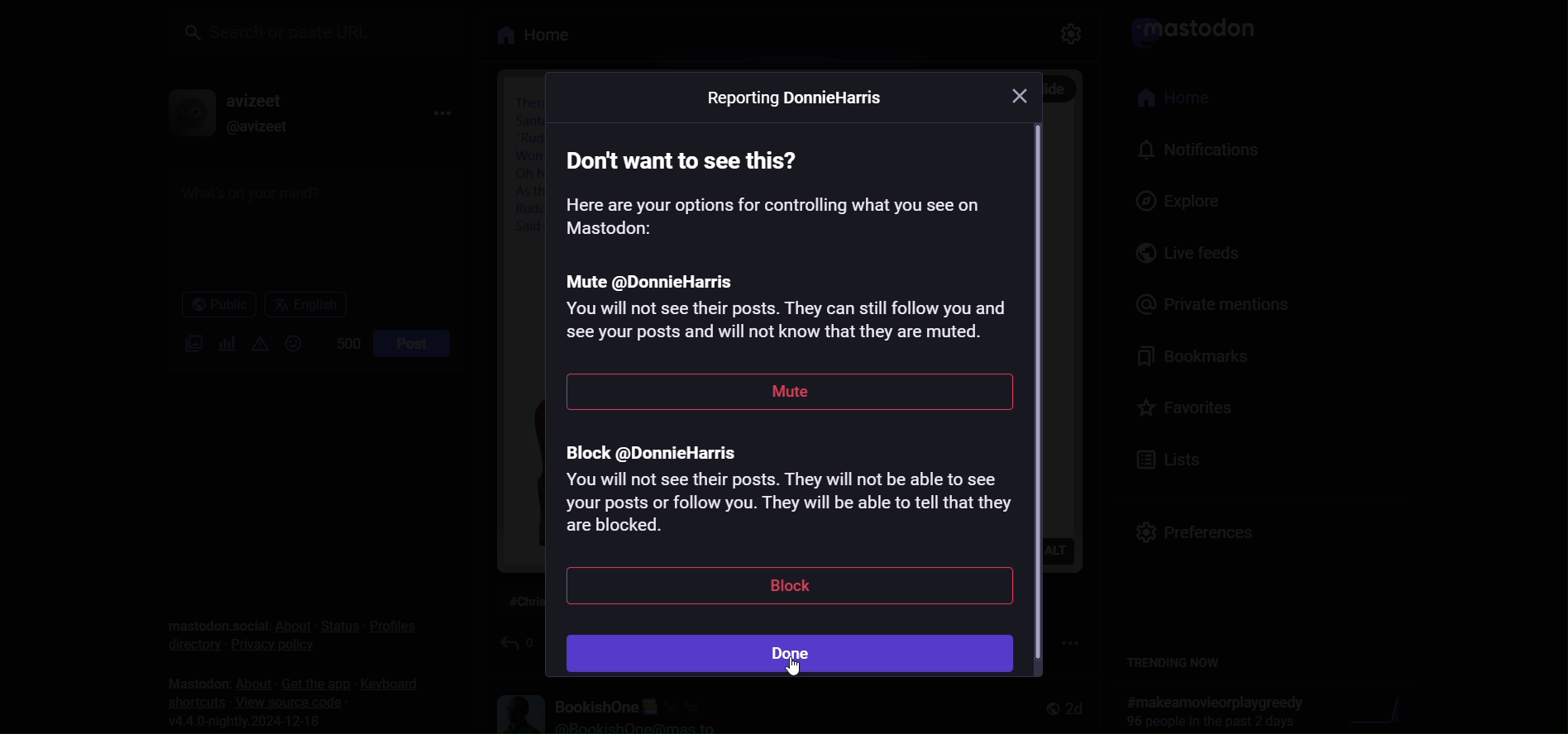  Describe the element at coordinates (391, 685) in the screenshot. I see `keyboard` at that location.